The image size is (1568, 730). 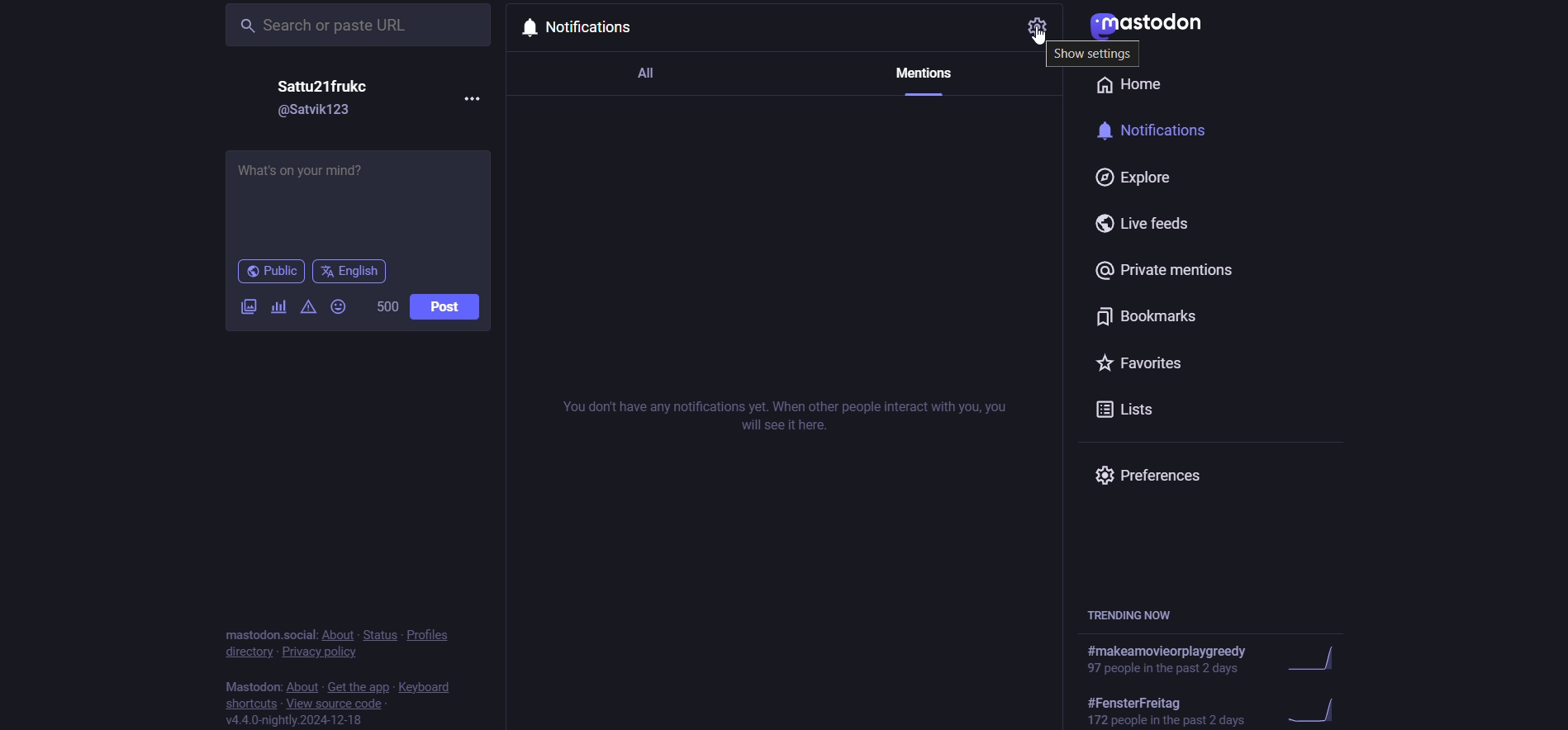 I want to click on keyboard, so click(x=426, y=686).